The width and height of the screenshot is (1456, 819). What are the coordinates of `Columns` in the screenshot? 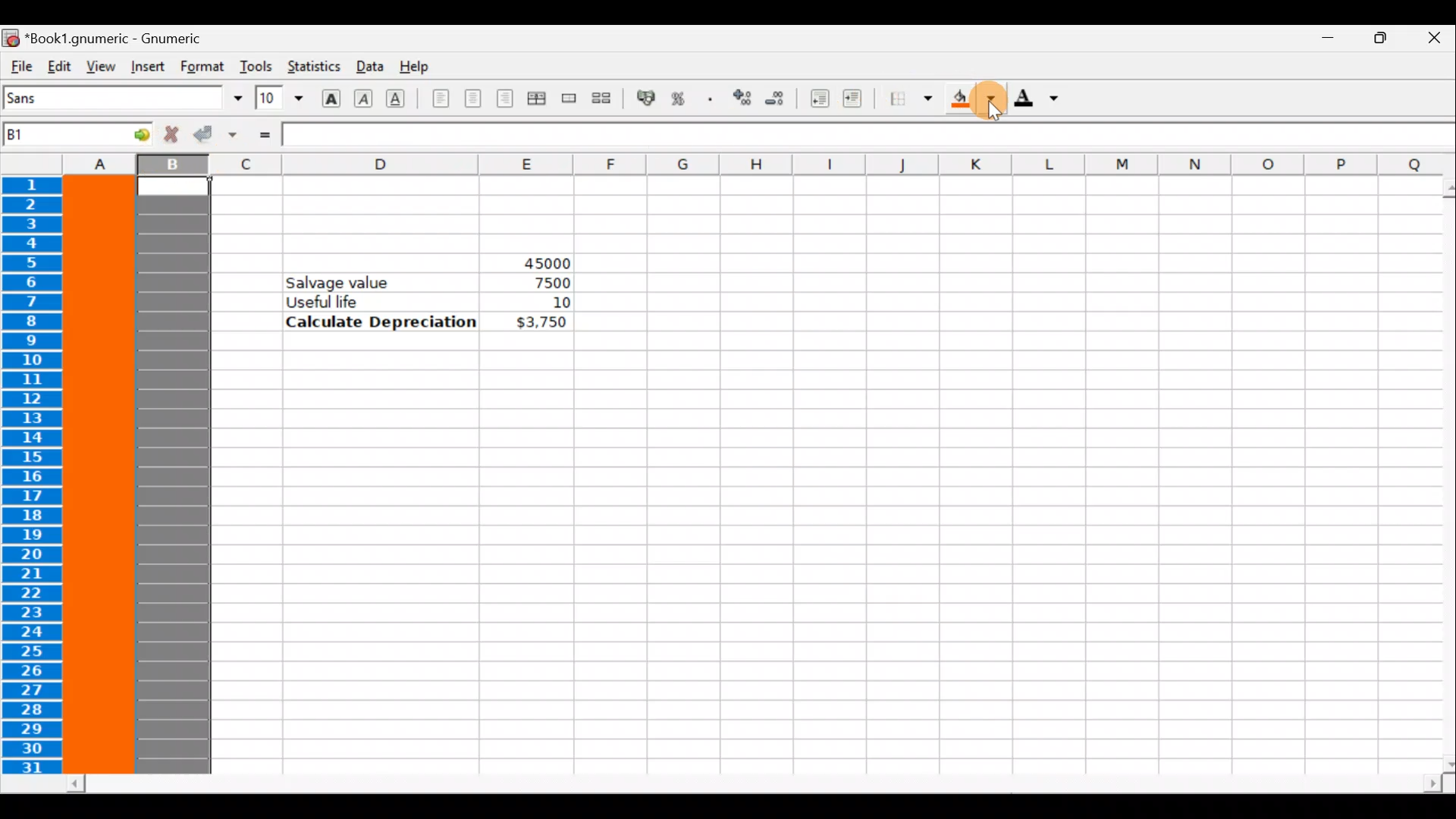 It's located at (726, 163).